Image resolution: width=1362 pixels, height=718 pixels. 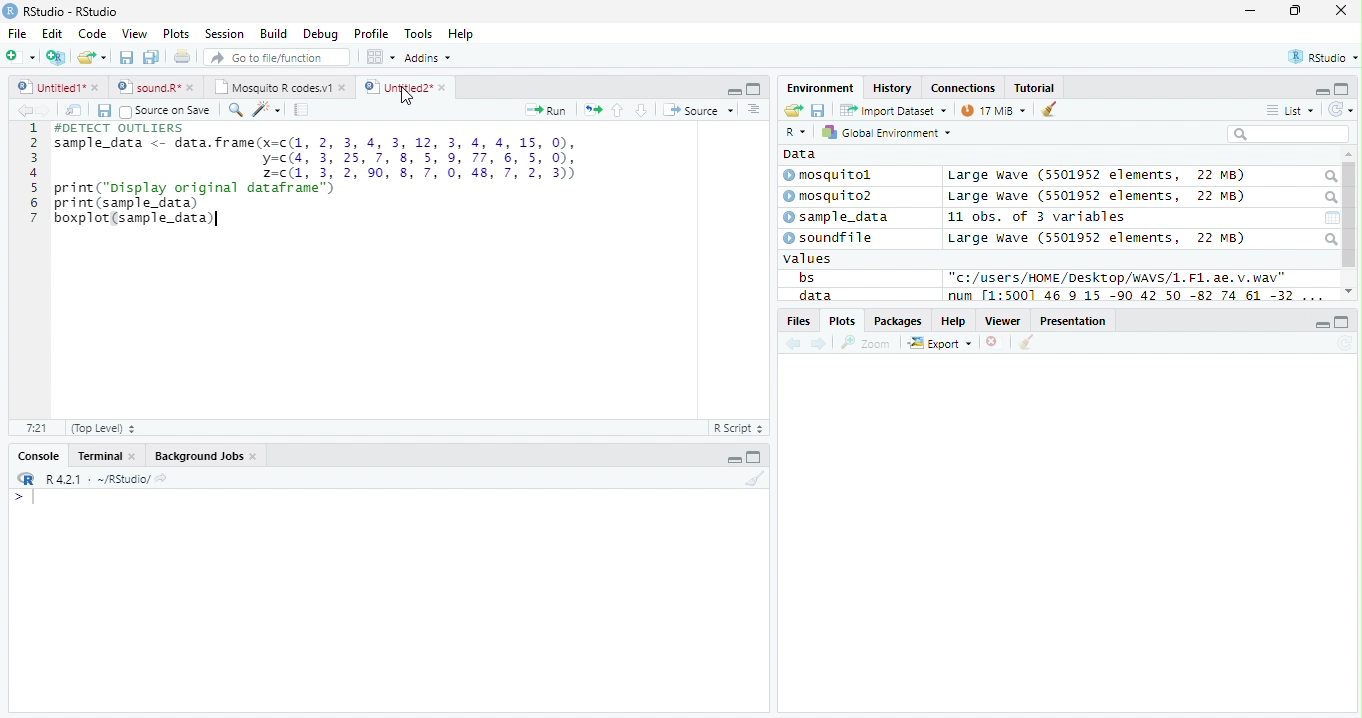 I want to click on Terminal, so click(x=104, y=456).